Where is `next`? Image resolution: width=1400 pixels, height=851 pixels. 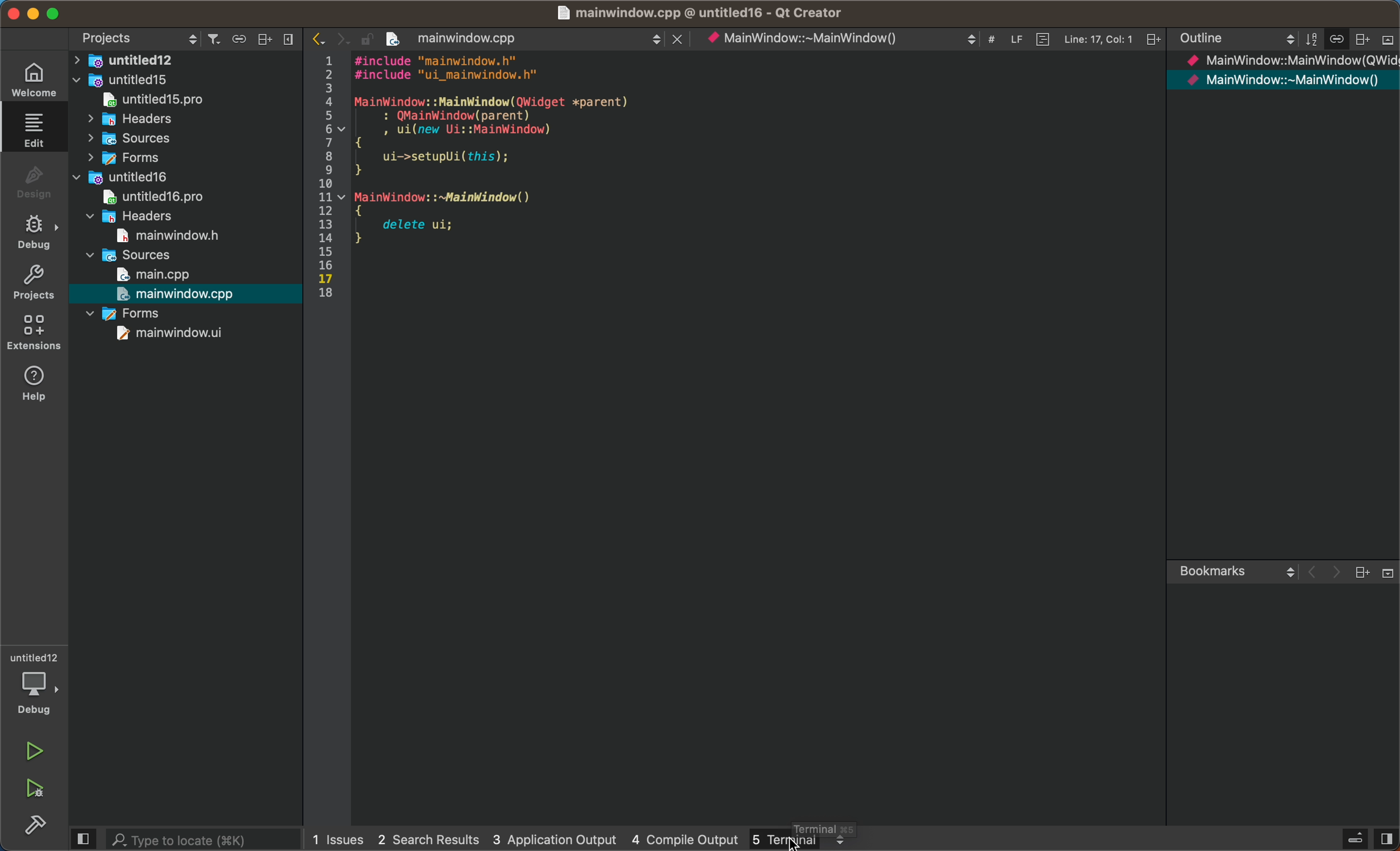 next is located at coordinates (339, 36).